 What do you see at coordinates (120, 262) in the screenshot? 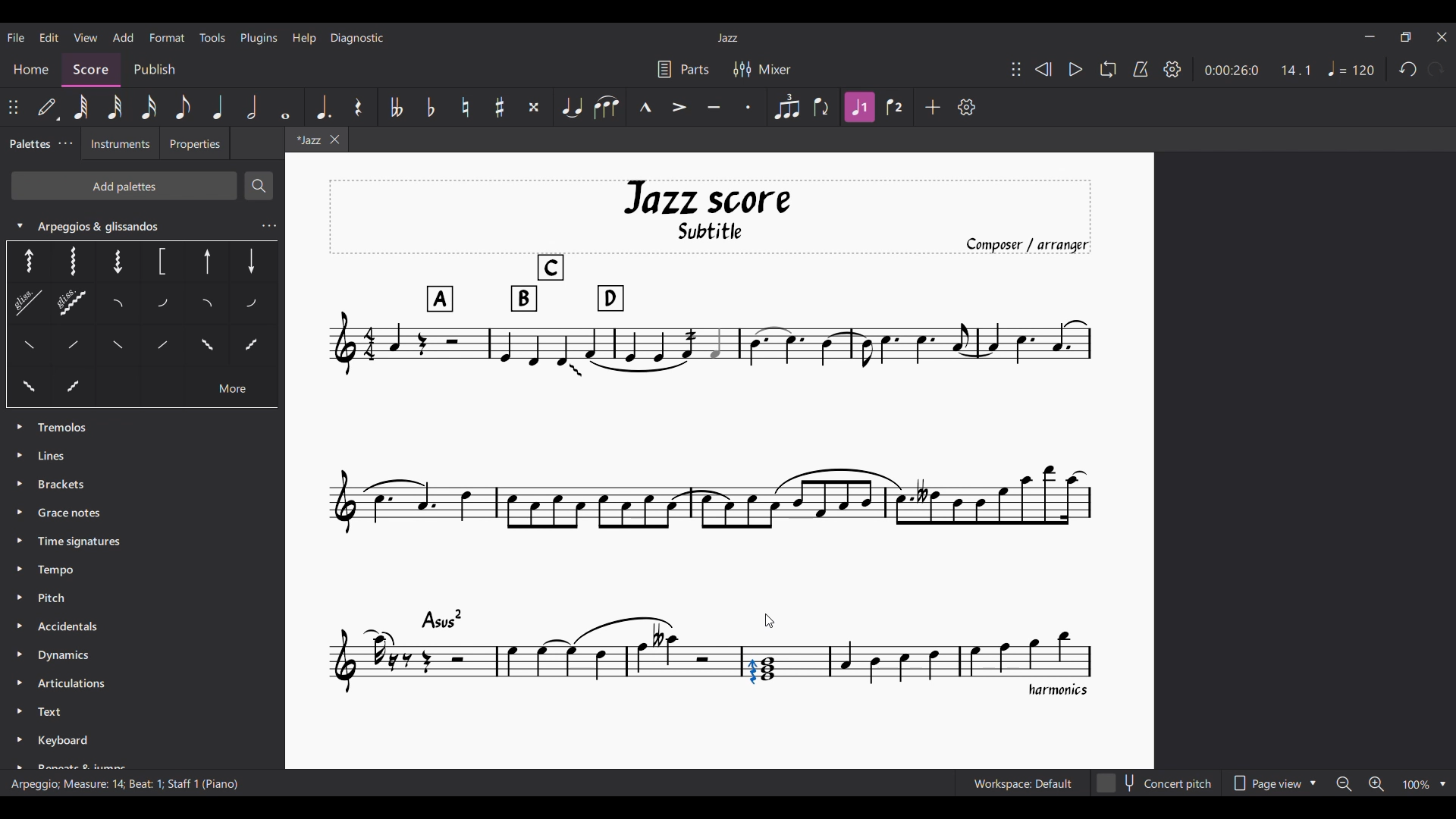
I see `` at bounding box center [120, 262].